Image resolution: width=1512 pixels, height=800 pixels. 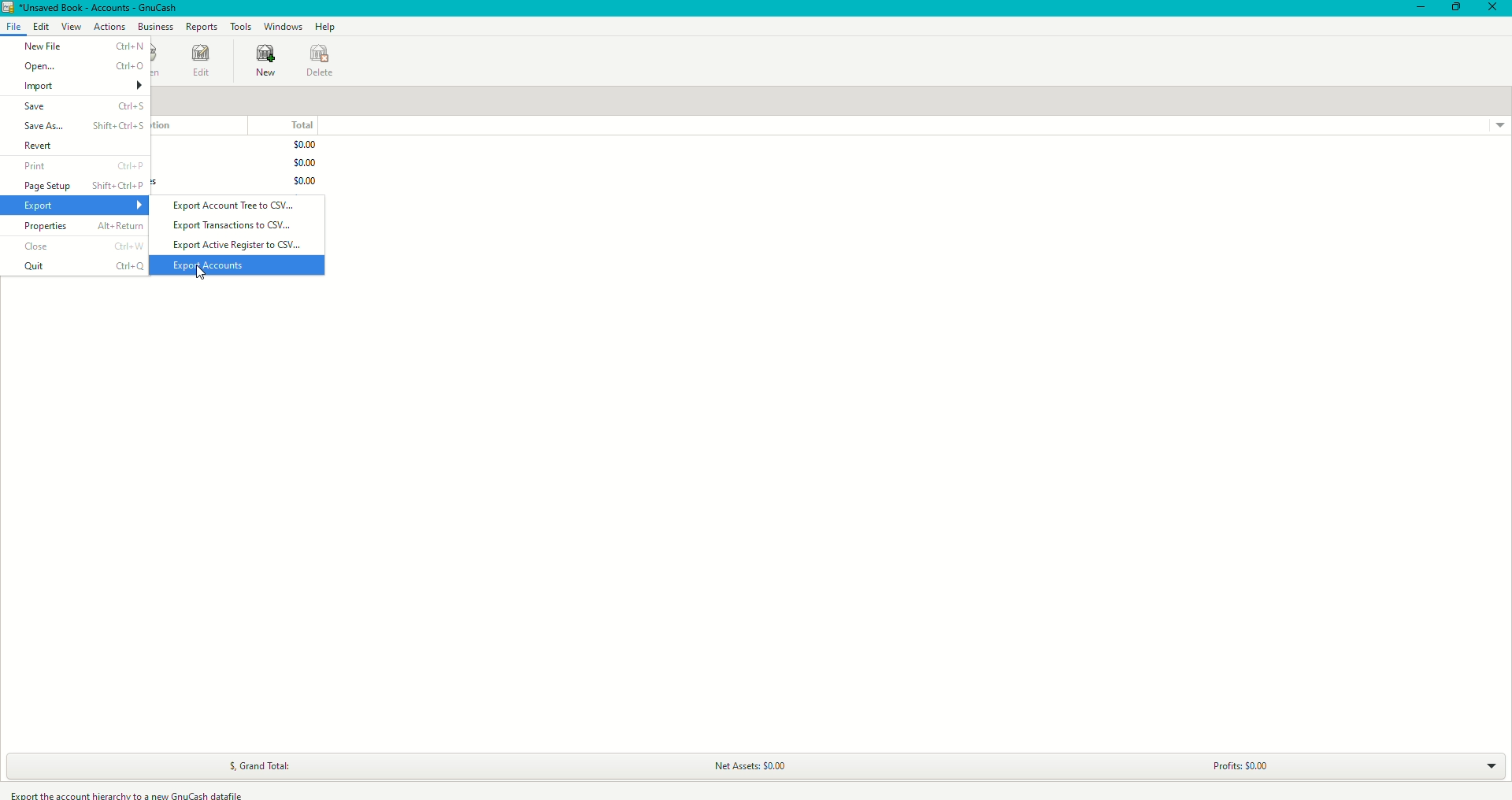 I want to click on Export Transactions, so click(x=234, y=225).